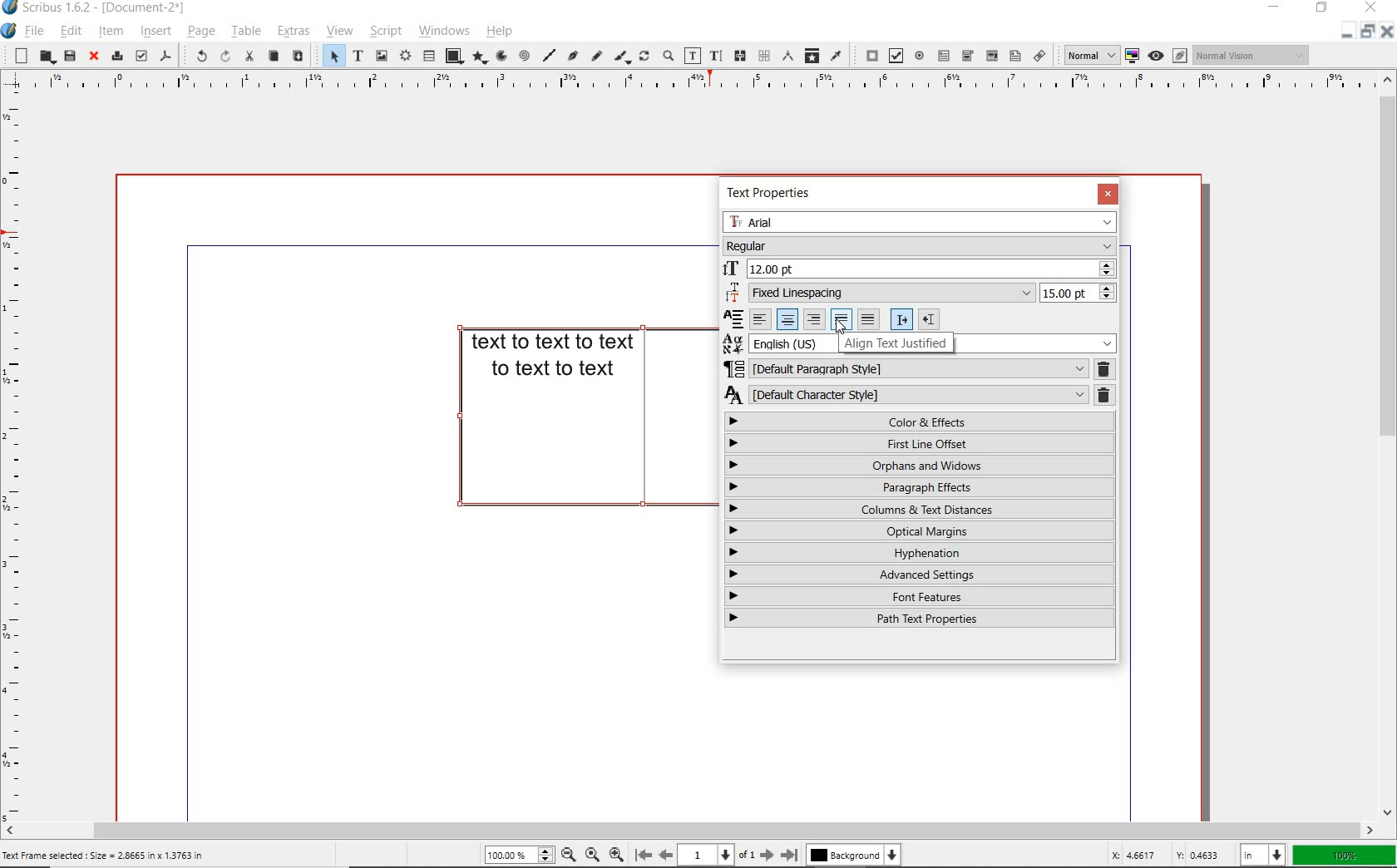 Image resolution: width=1397 pixels, height=868 pixels. I want to click on LINE SPACING MODE, so click(877, 293).